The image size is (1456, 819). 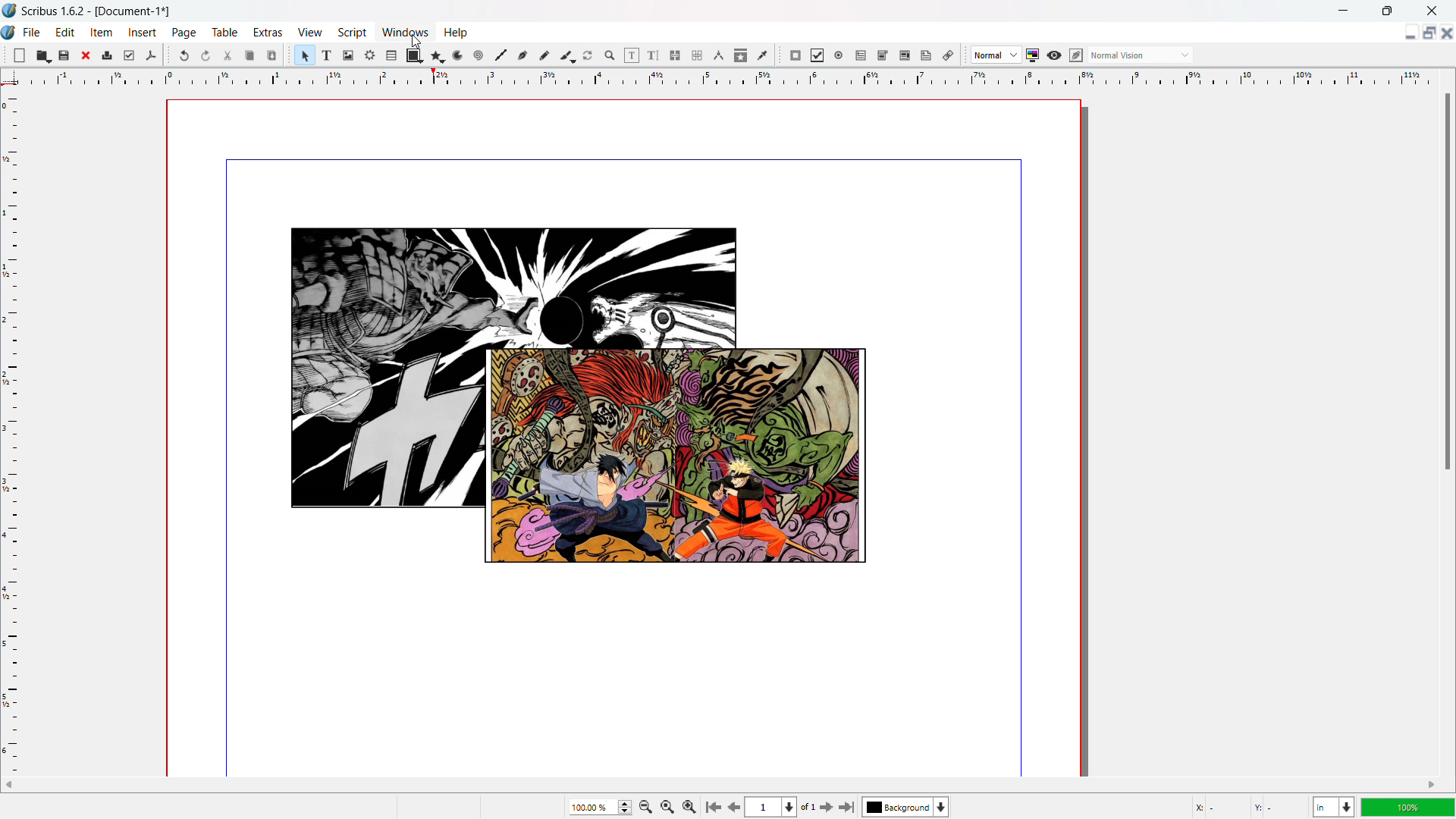 I want to click on objects, so click(x=582, y=398).